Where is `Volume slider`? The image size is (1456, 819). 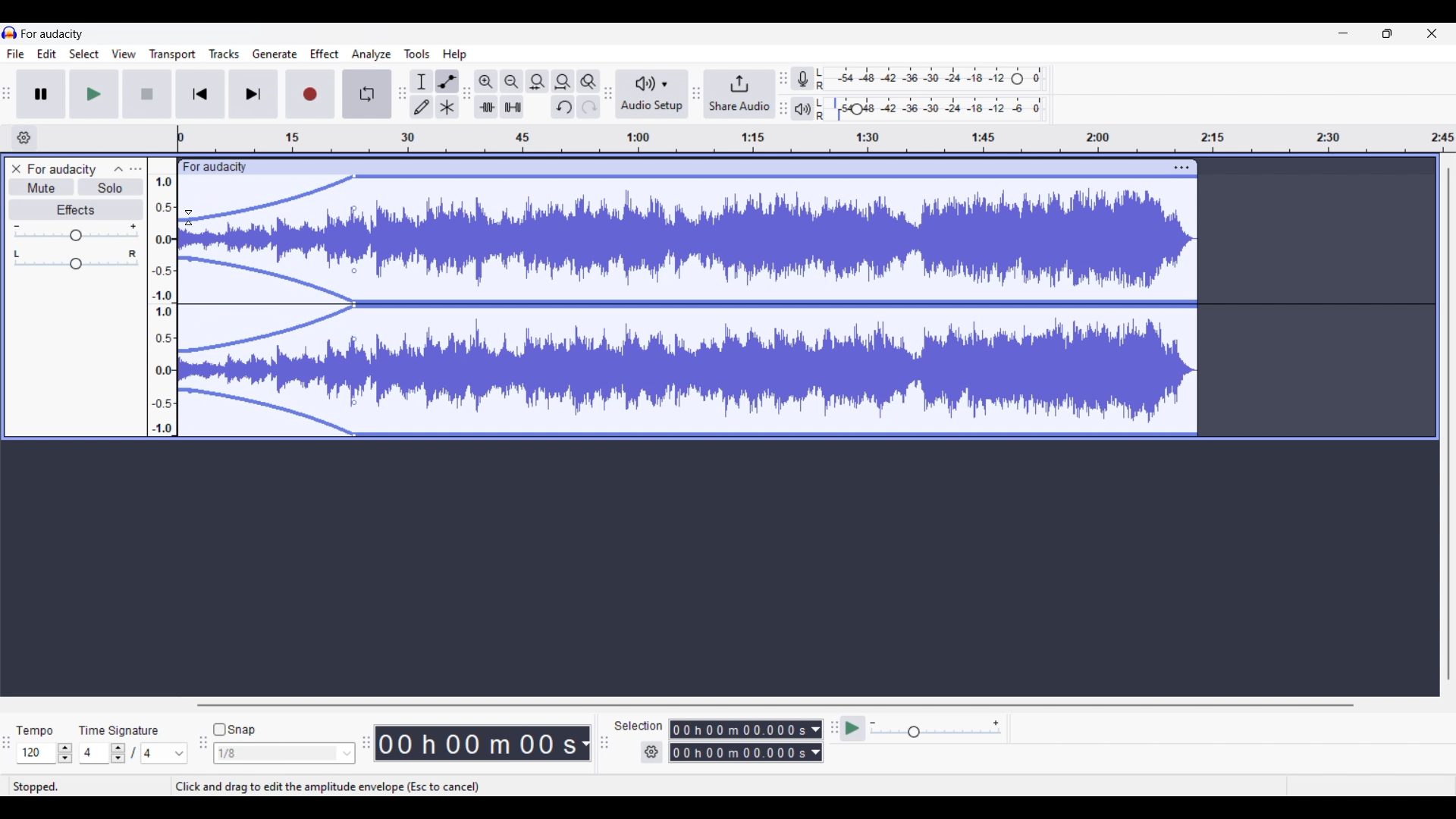
Volume slider is located at coordinates (77, 233).